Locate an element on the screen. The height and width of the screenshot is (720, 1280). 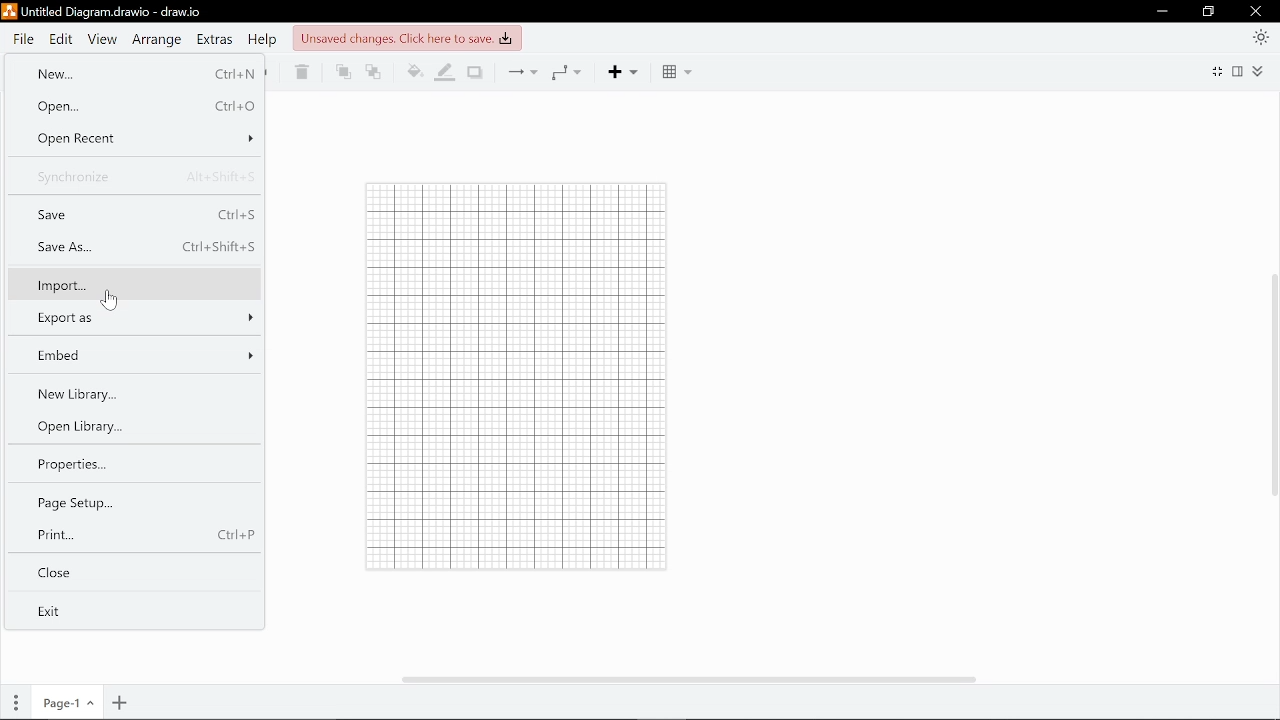
Unsaved changes. Click here to save.  is located at coordinates (407, 39).